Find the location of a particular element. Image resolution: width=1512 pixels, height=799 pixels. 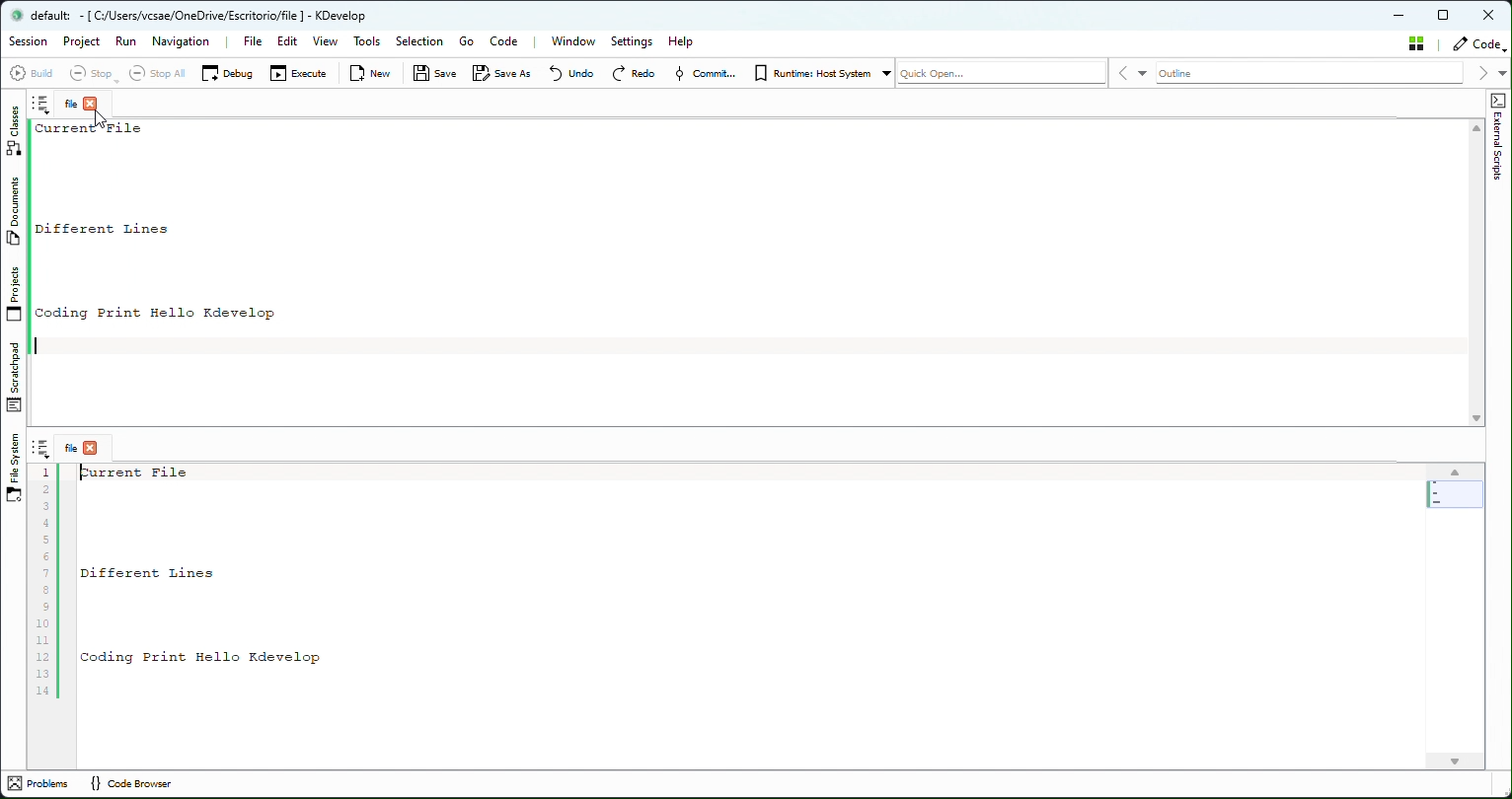

Run is located at coordinates (126, 41).